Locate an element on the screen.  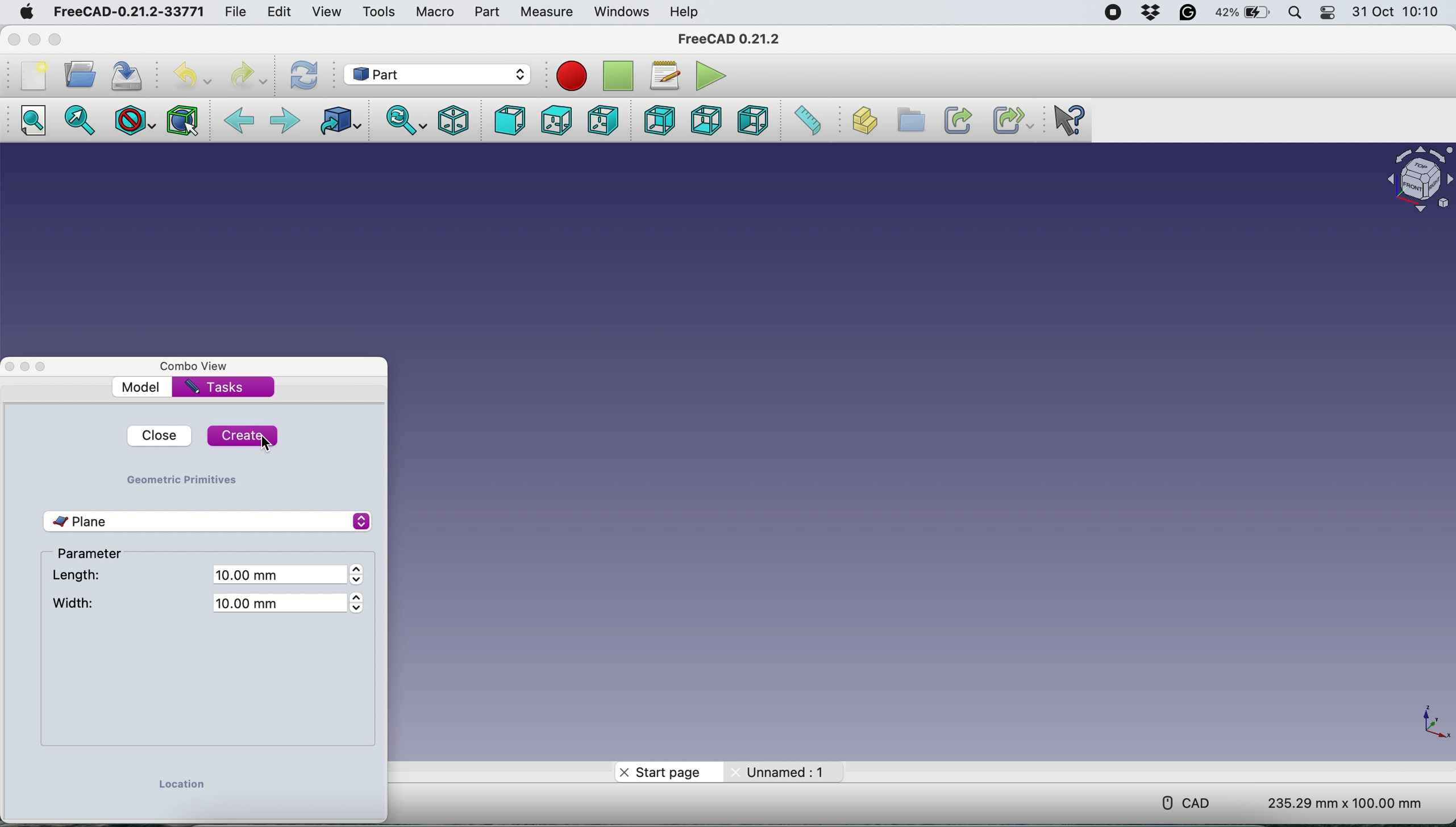
Grammarly is located at coordinates (1189, 12).